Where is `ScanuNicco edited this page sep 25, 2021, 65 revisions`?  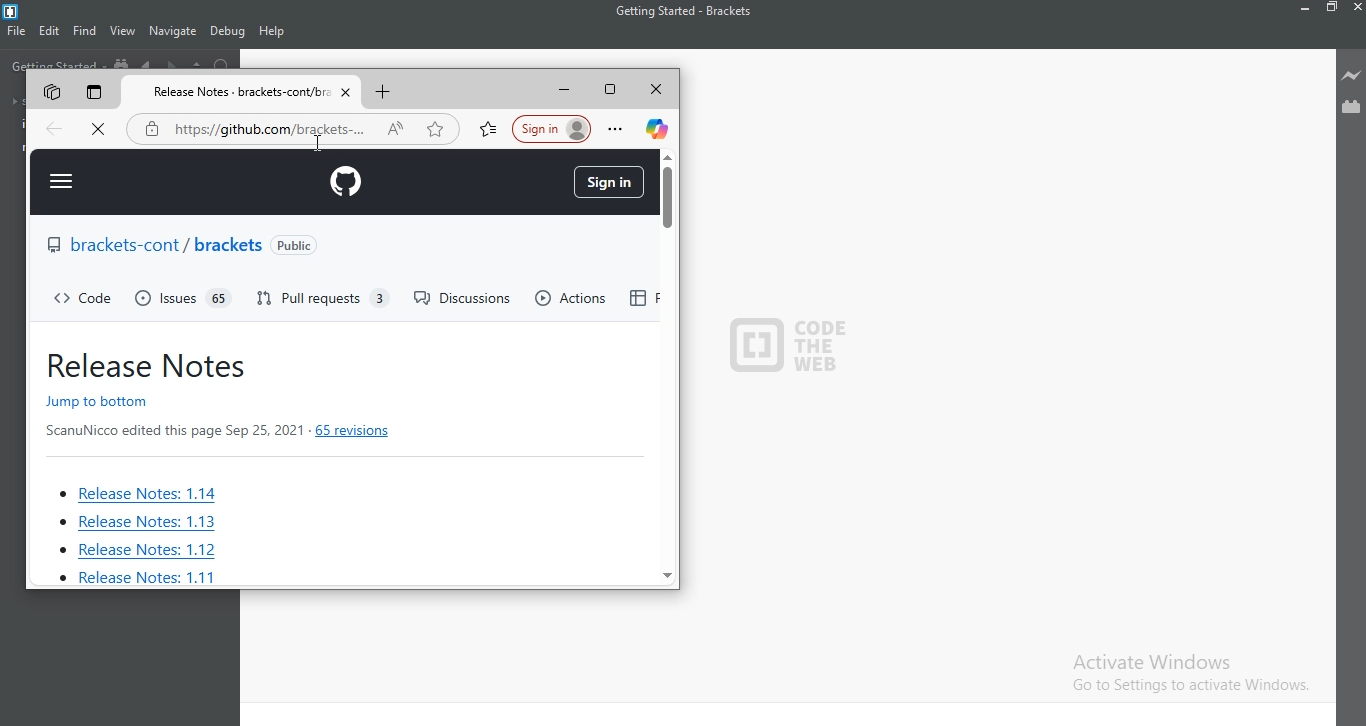
ScanuNicco edited this page sep 25, 2021, 65 revisions is located at coordinates (233, 429).